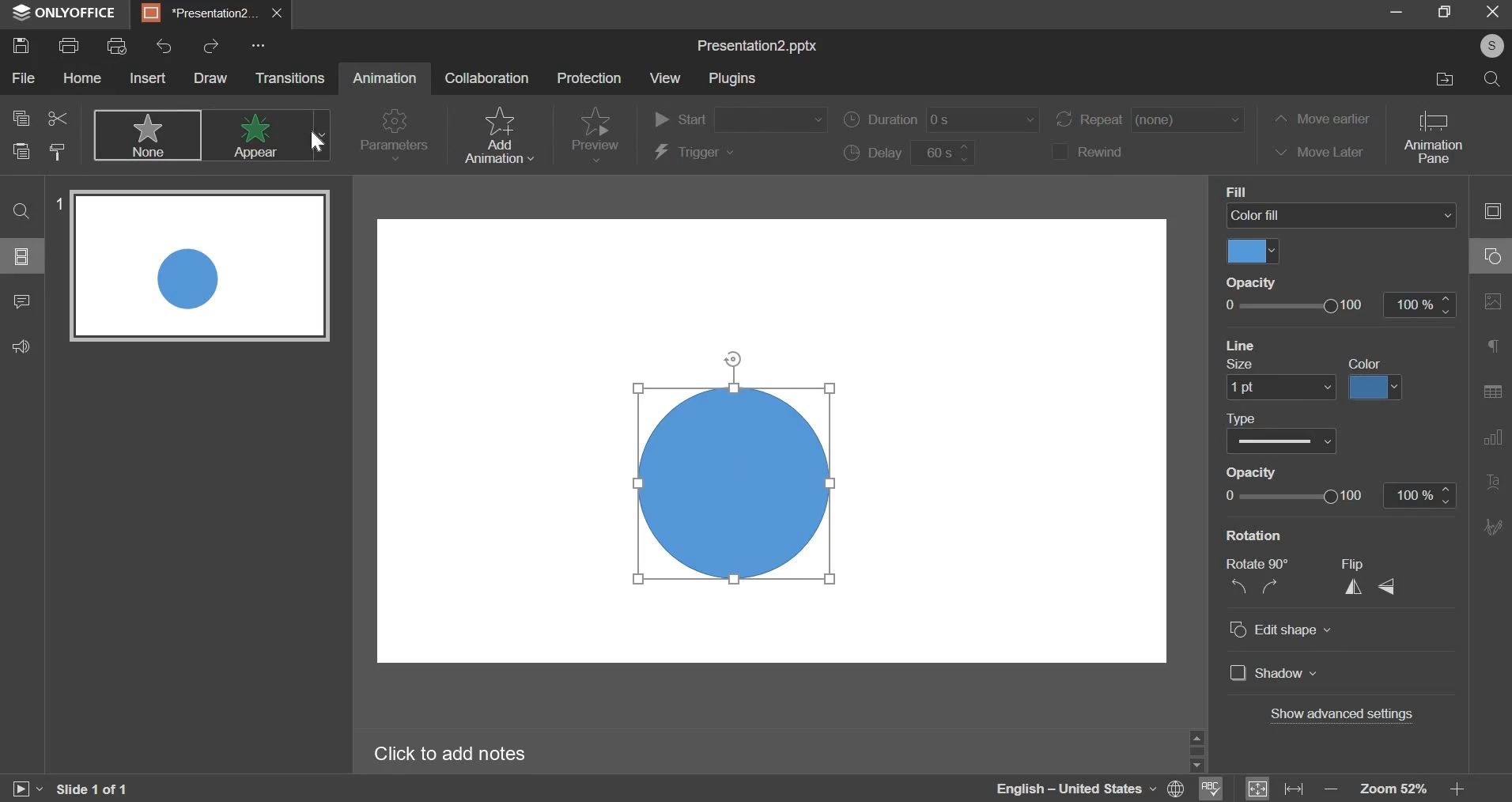 The image size is (1512, 802). I want to click on , so click(1200, 761).